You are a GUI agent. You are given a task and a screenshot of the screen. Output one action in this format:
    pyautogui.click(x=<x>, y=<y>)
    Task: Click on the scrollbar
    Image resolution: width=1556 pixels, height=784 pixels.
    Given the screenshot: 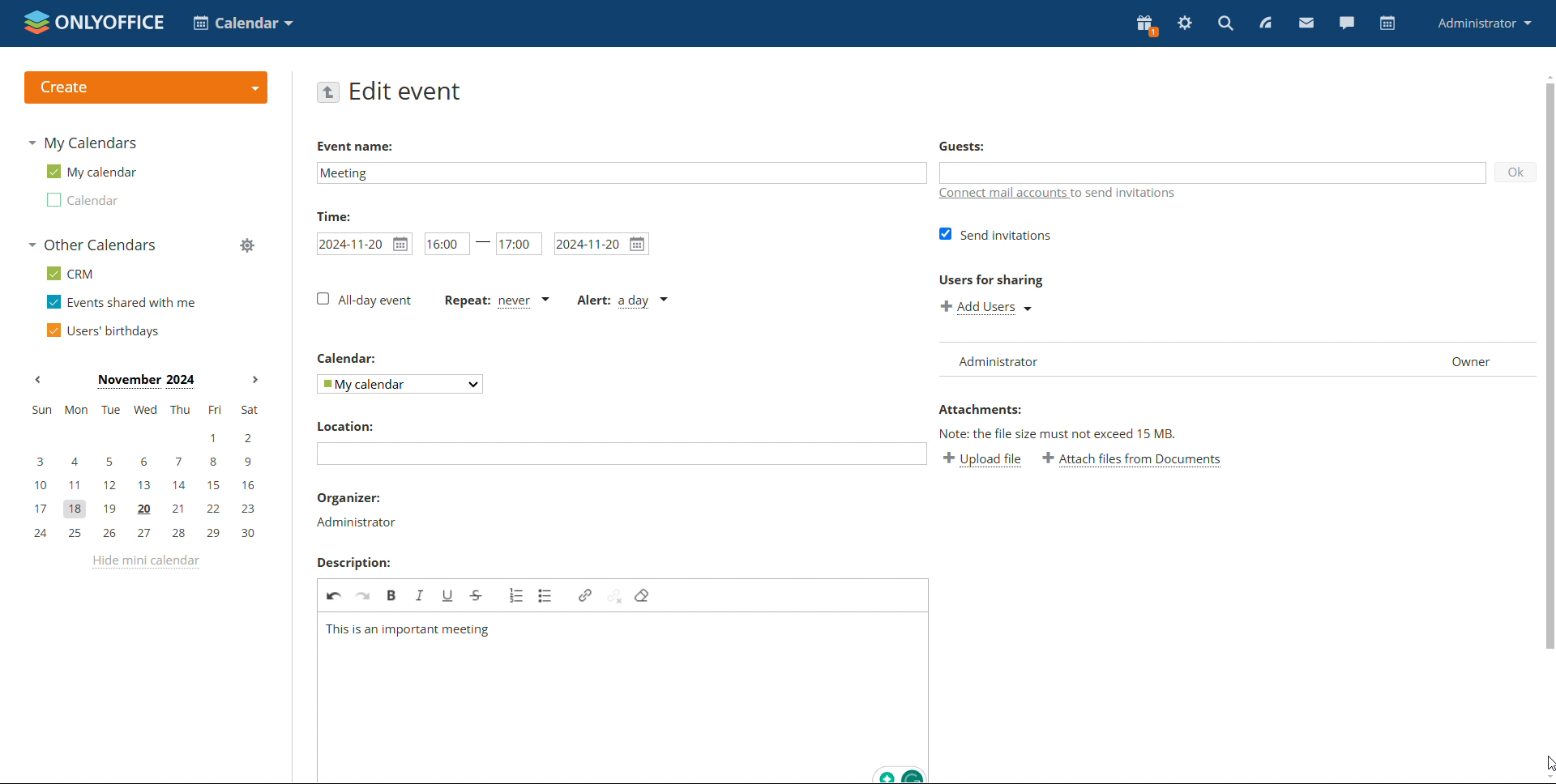 What is the action you would take?
    pyautogui.click(x=1549, y=365)
    